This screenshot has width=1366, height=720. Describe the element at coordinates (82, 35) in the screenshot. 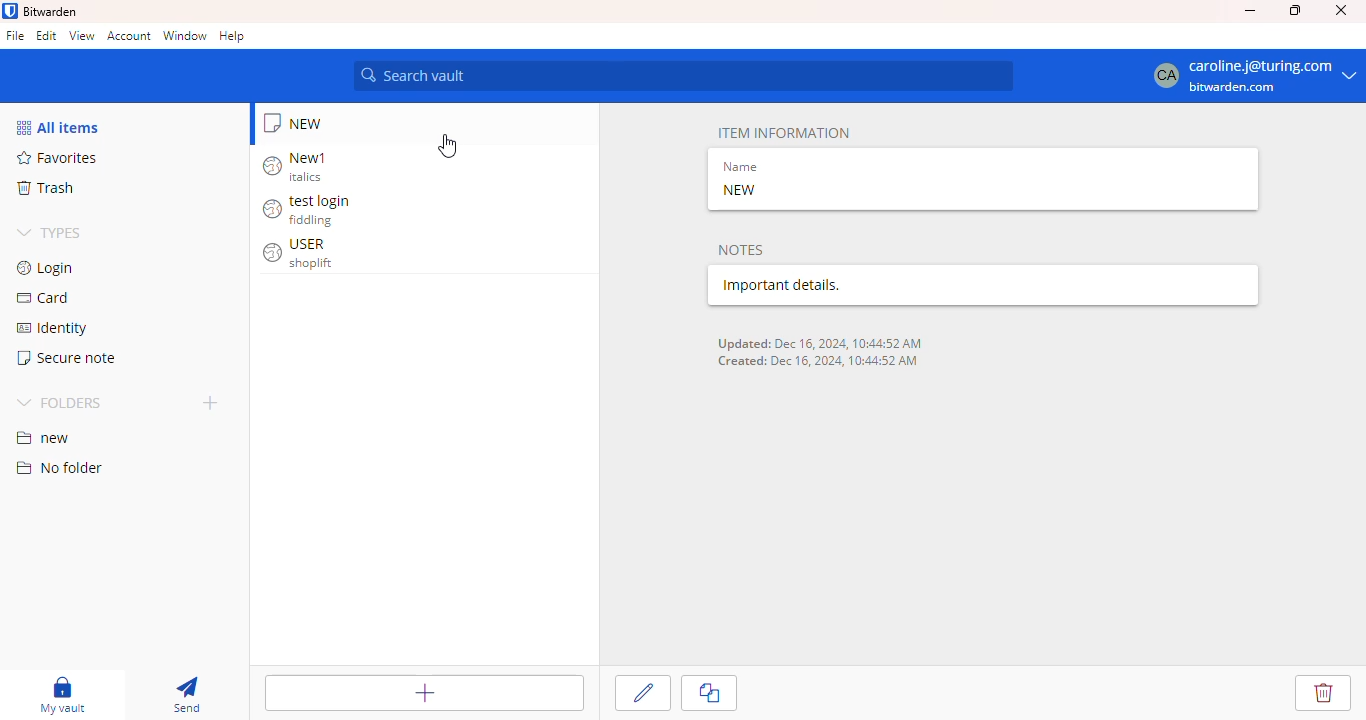

I see `view` at that location.